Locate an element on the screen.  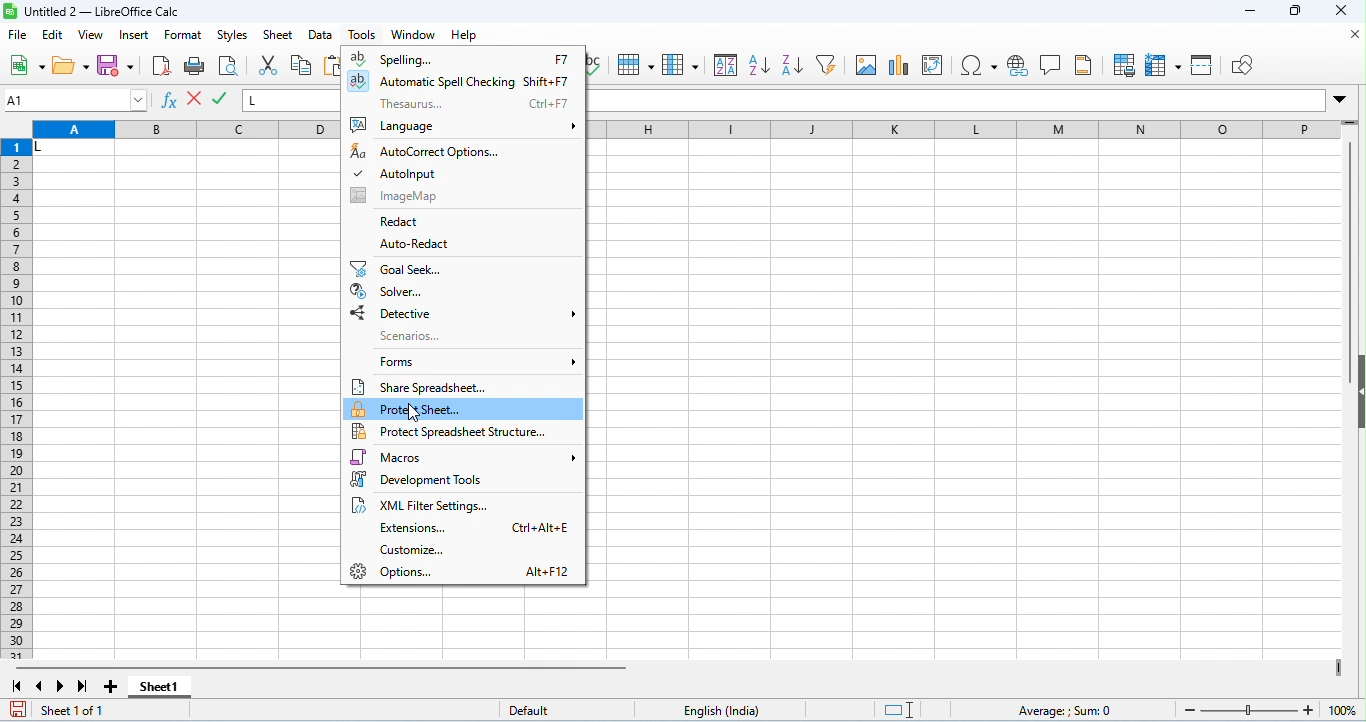
auto-redact is located at coordinates (417, 245).